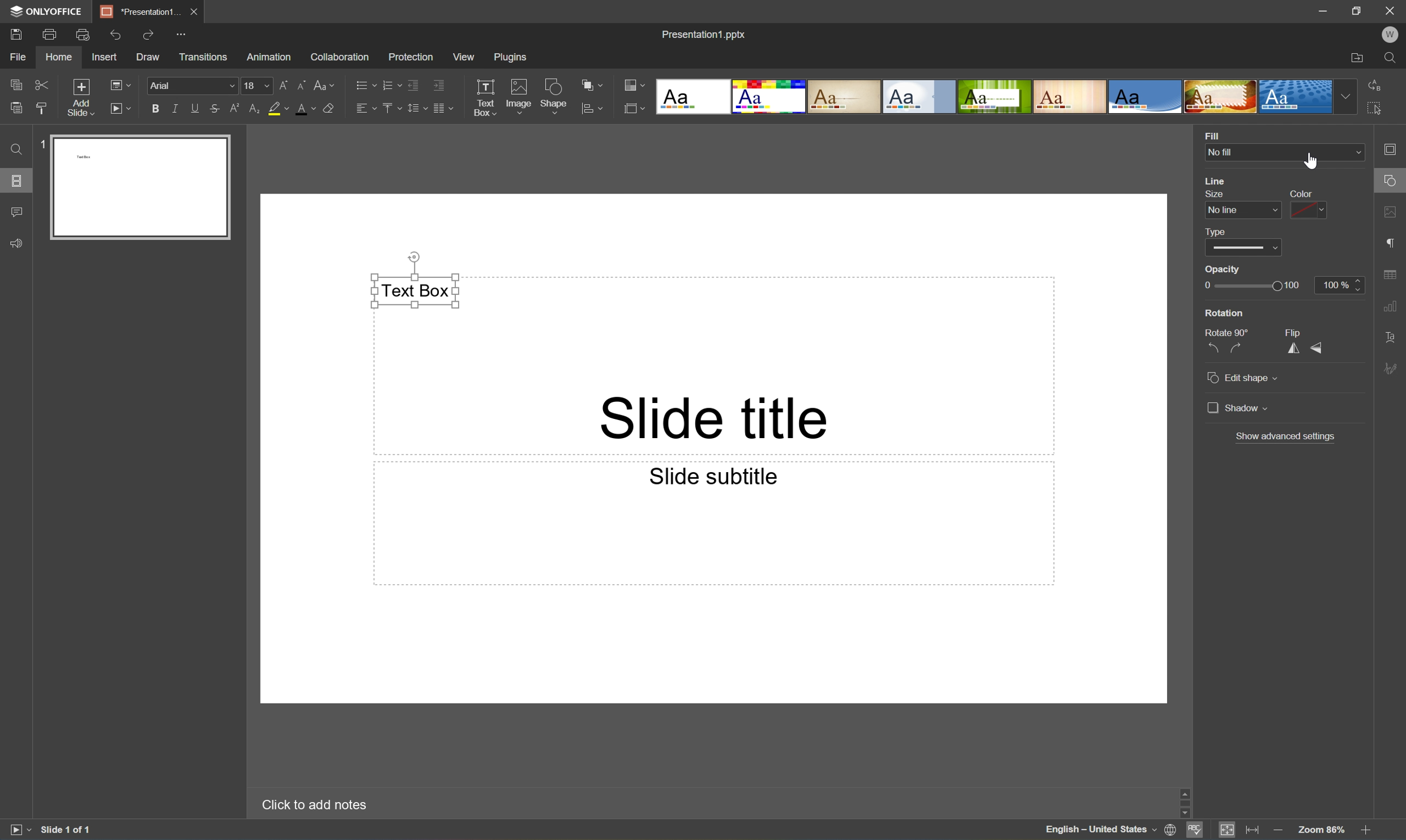  I want to click on Horizontally align, so click(362, 109).